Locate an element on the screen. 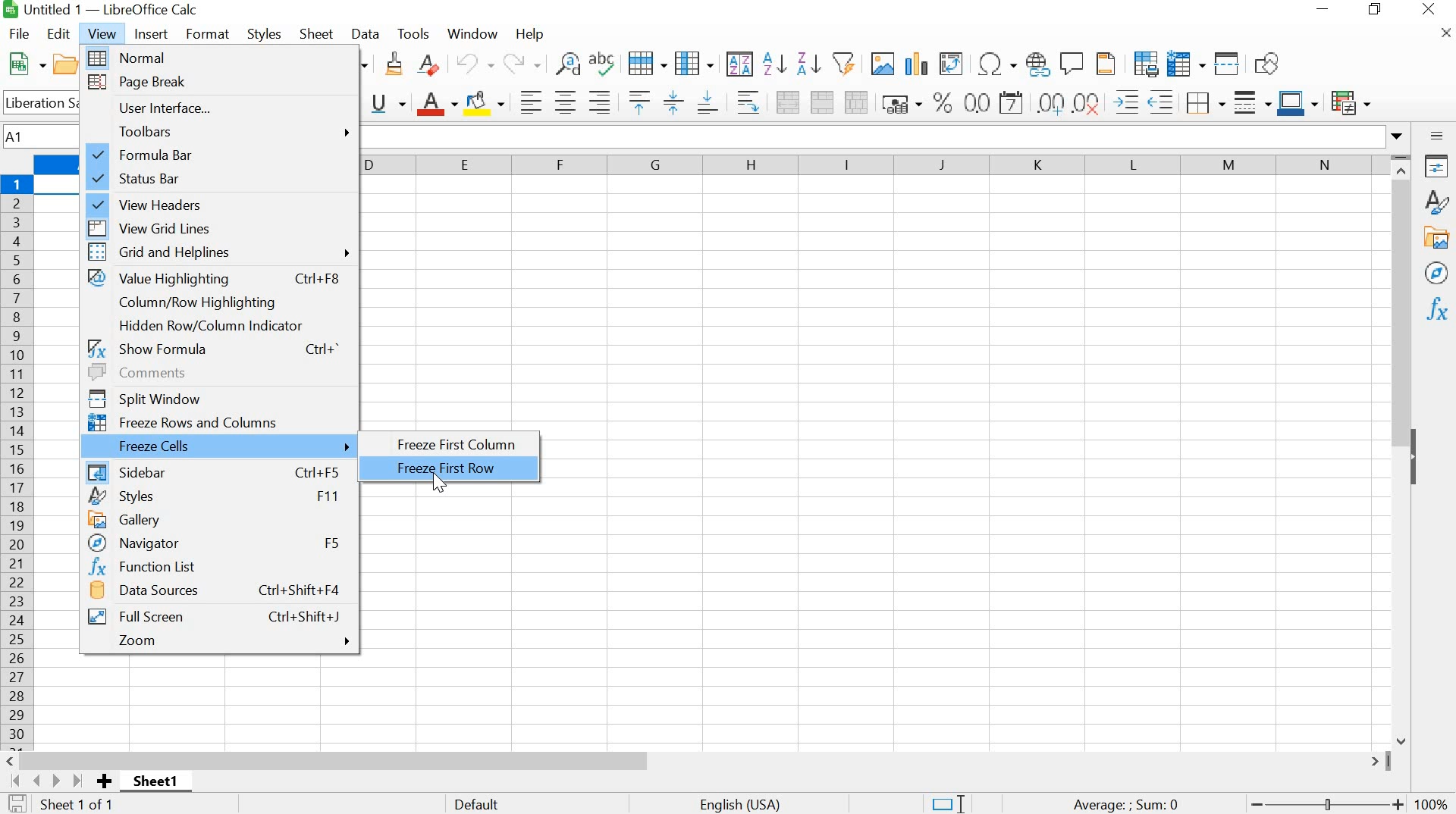  FREEZE FIRST ROW is located at coordinates (459, 468).